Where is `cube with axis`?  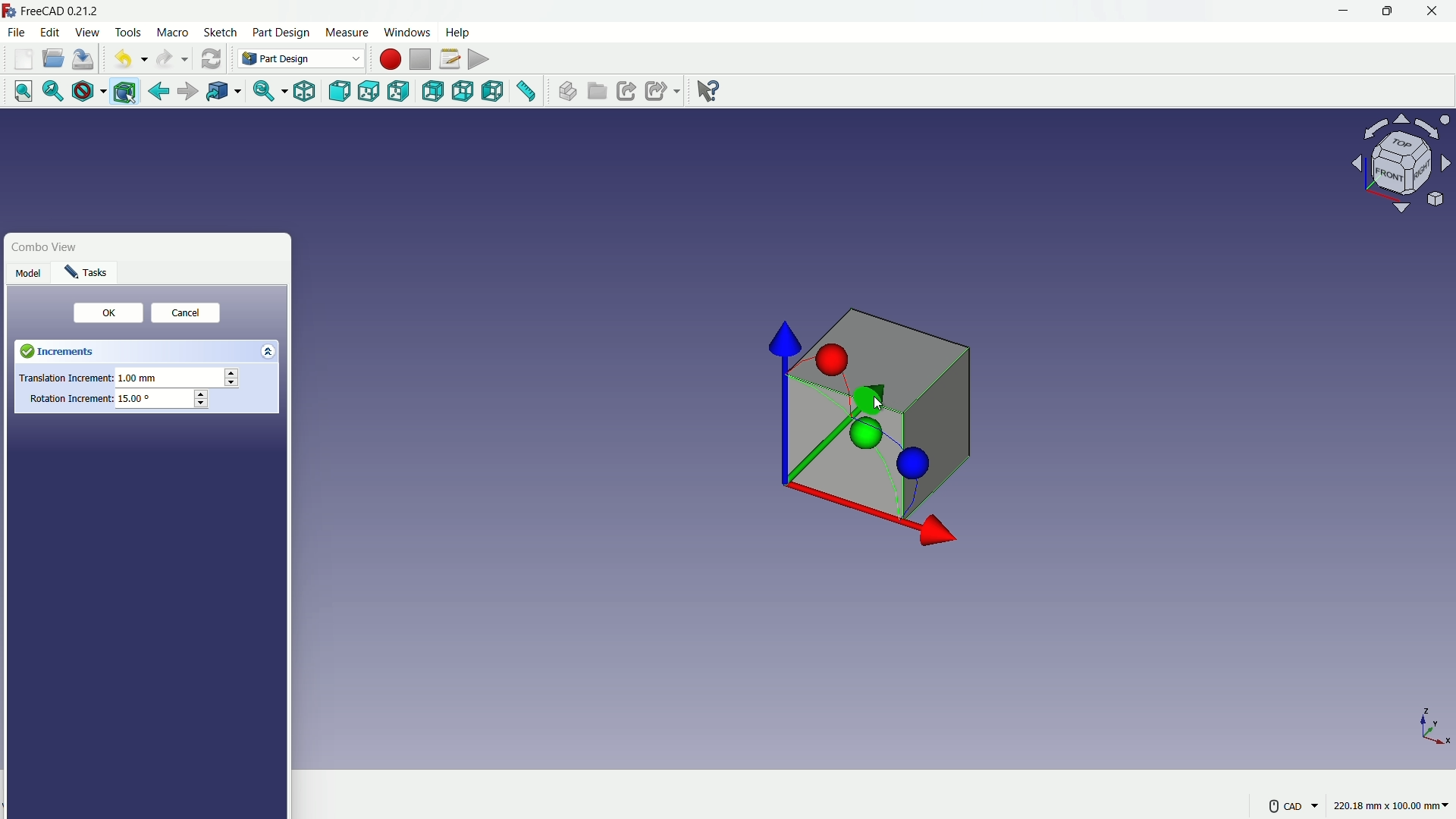 cube with axis is located at coordinates (882, 423).